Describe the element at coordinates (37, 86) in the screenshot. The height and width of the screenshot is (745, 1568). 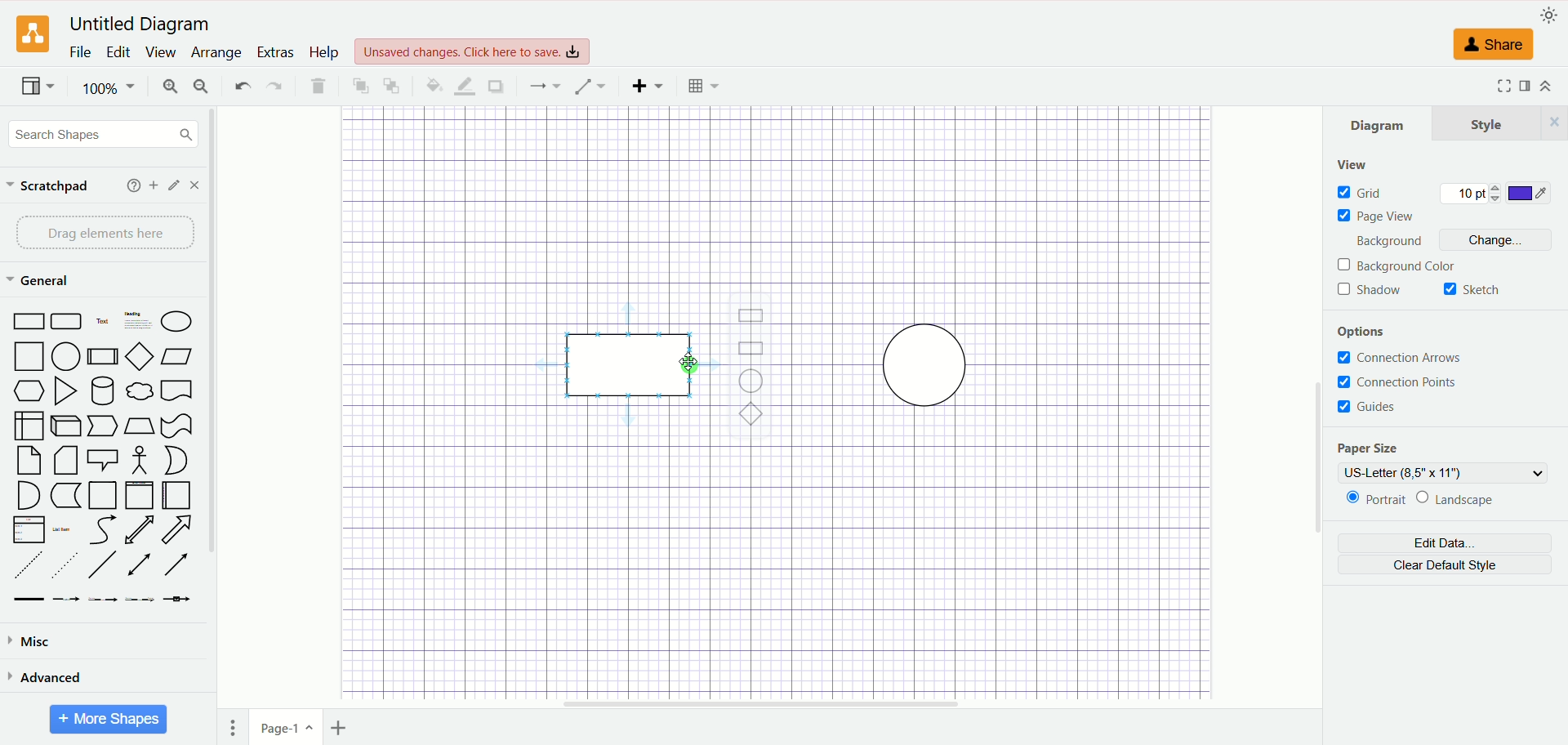
I see `view` at that location.